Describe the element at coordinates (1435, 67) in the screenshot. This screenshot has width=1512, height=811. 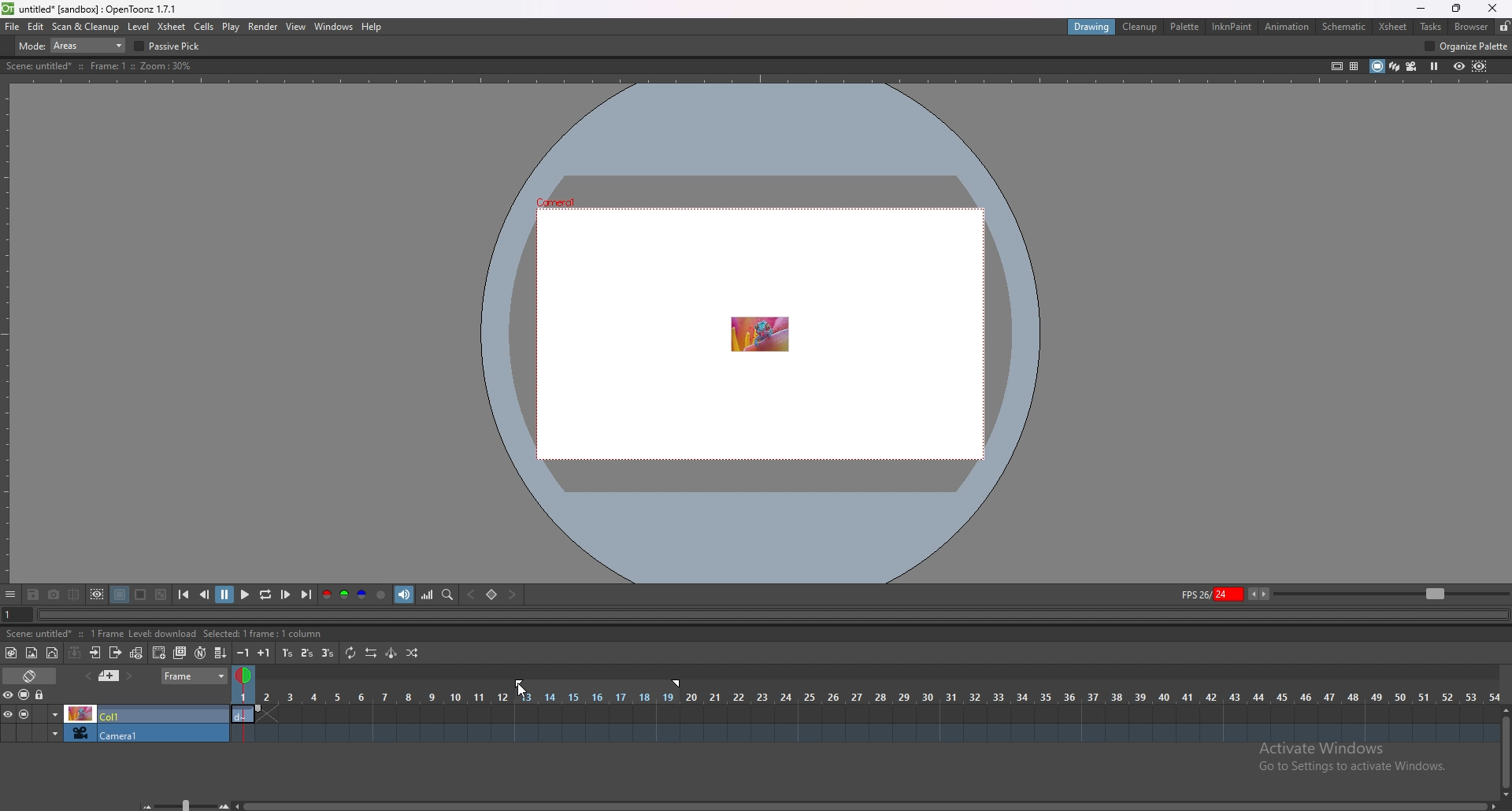
I see `freeze` at that location.